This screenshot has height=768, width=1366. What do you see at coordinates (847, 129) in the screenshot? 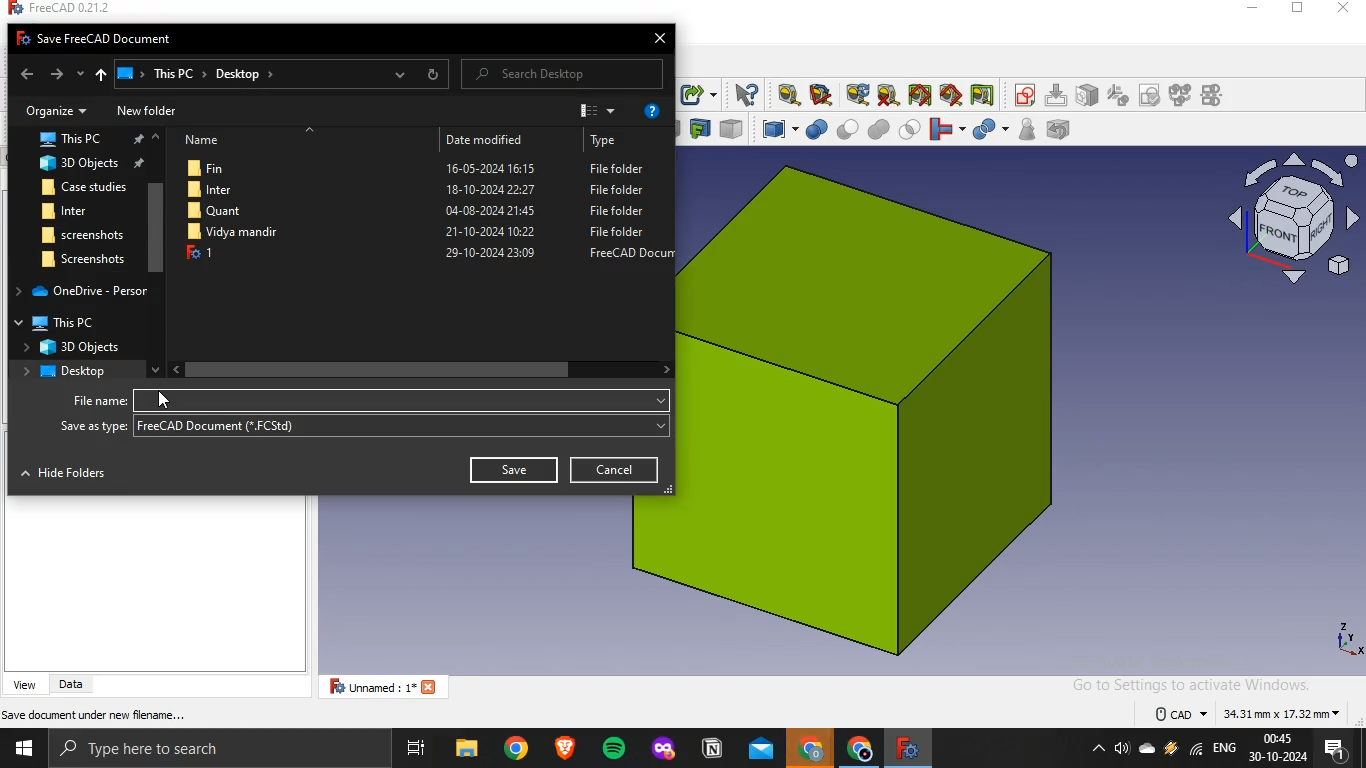
I see `cut` at bounding box center [847, 129].